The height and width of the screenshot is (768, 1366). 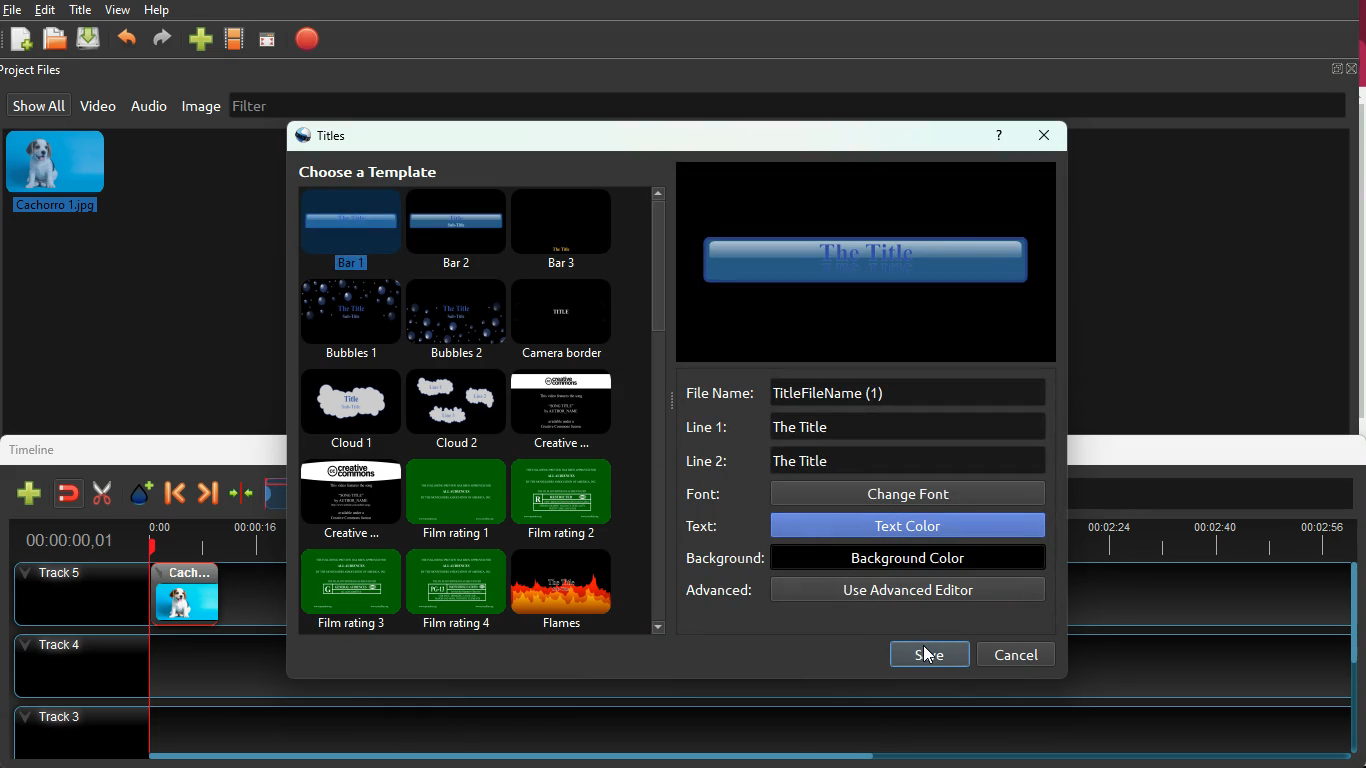 I want to click on file name, so click(x=867, y=391).